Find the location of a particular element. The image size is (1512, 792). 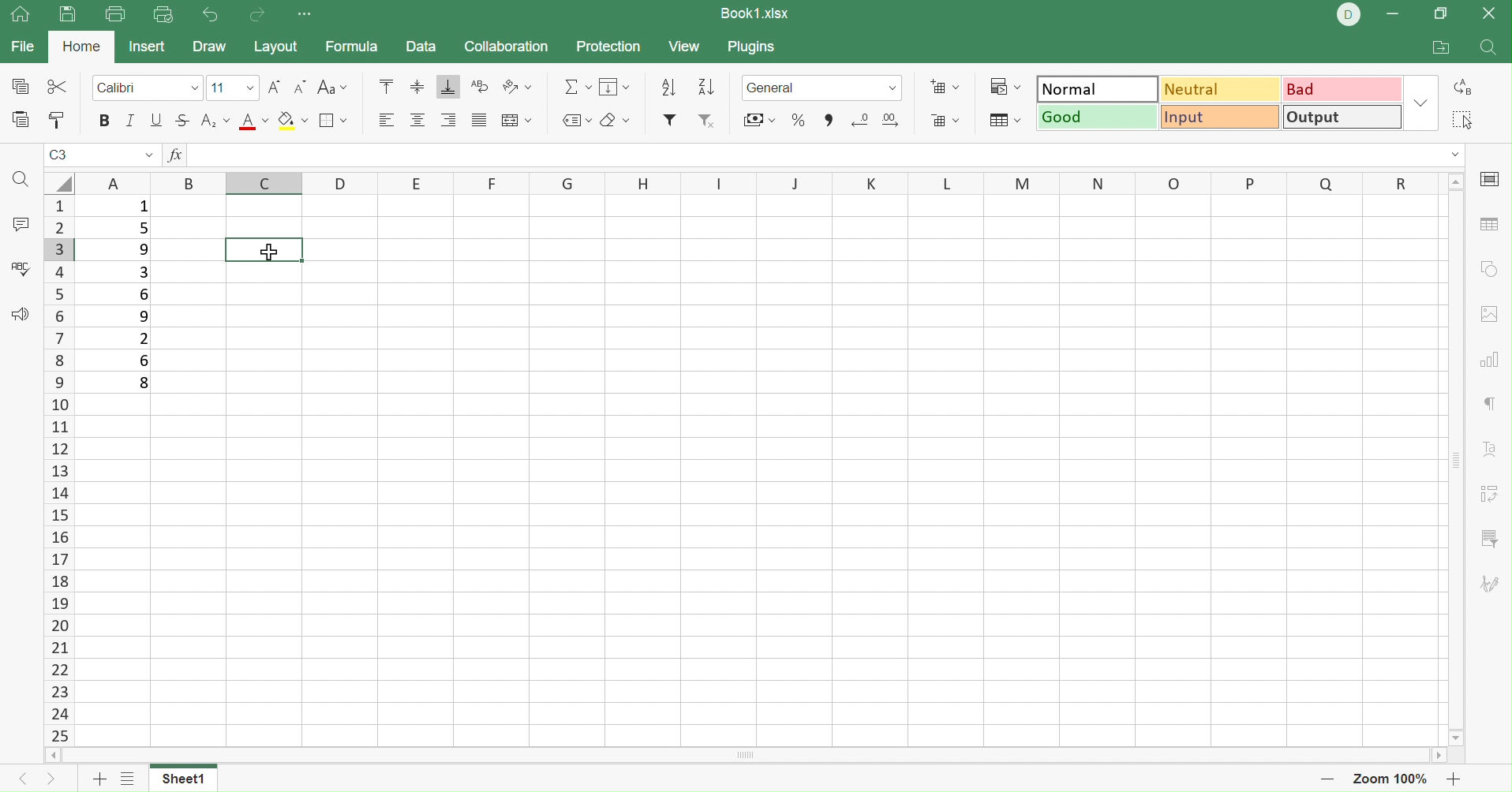

Bold is located at coordinates (102, 120).